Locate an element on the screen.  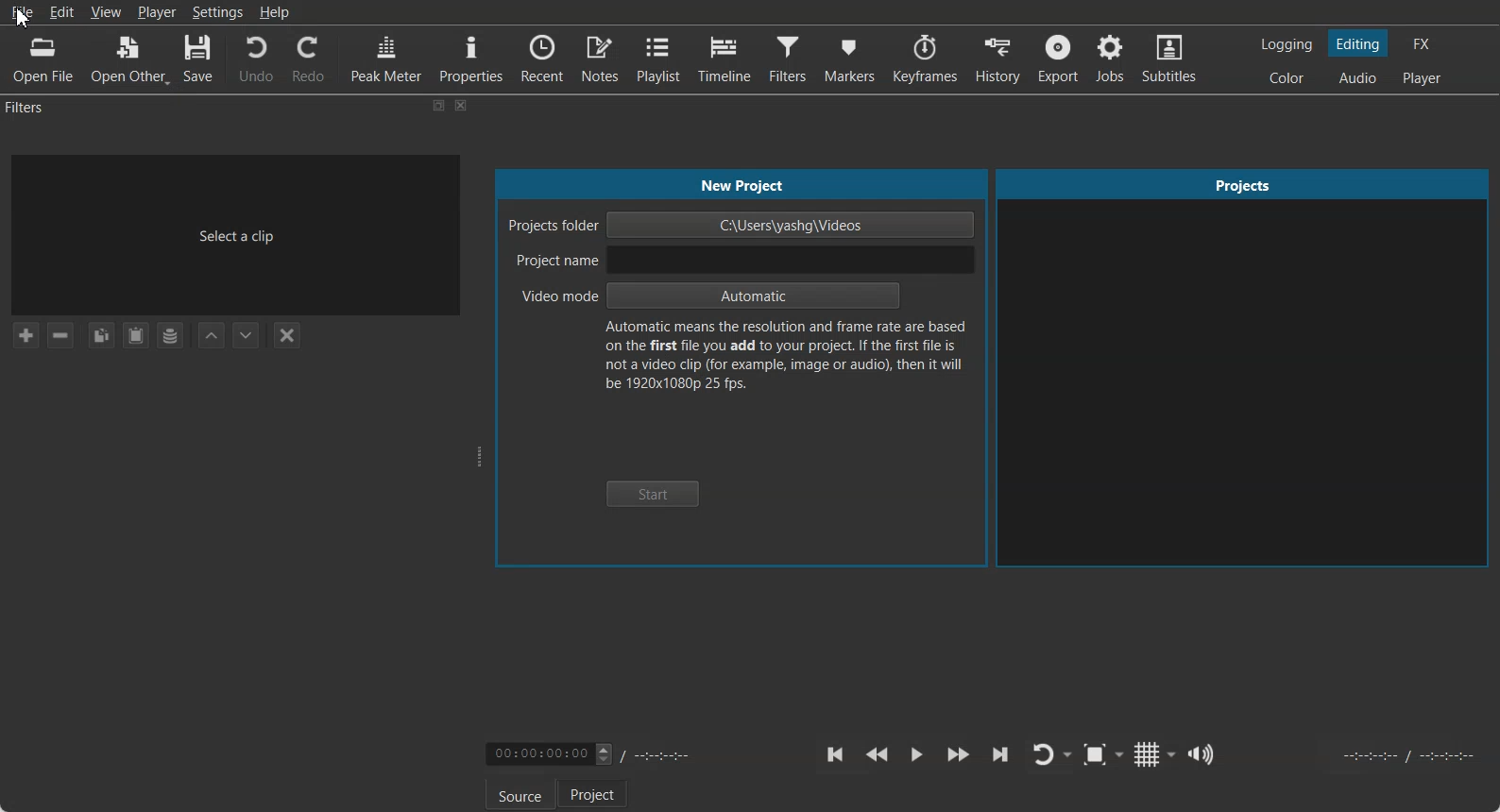
Move Filter Down is located at coordinates (247, 335).